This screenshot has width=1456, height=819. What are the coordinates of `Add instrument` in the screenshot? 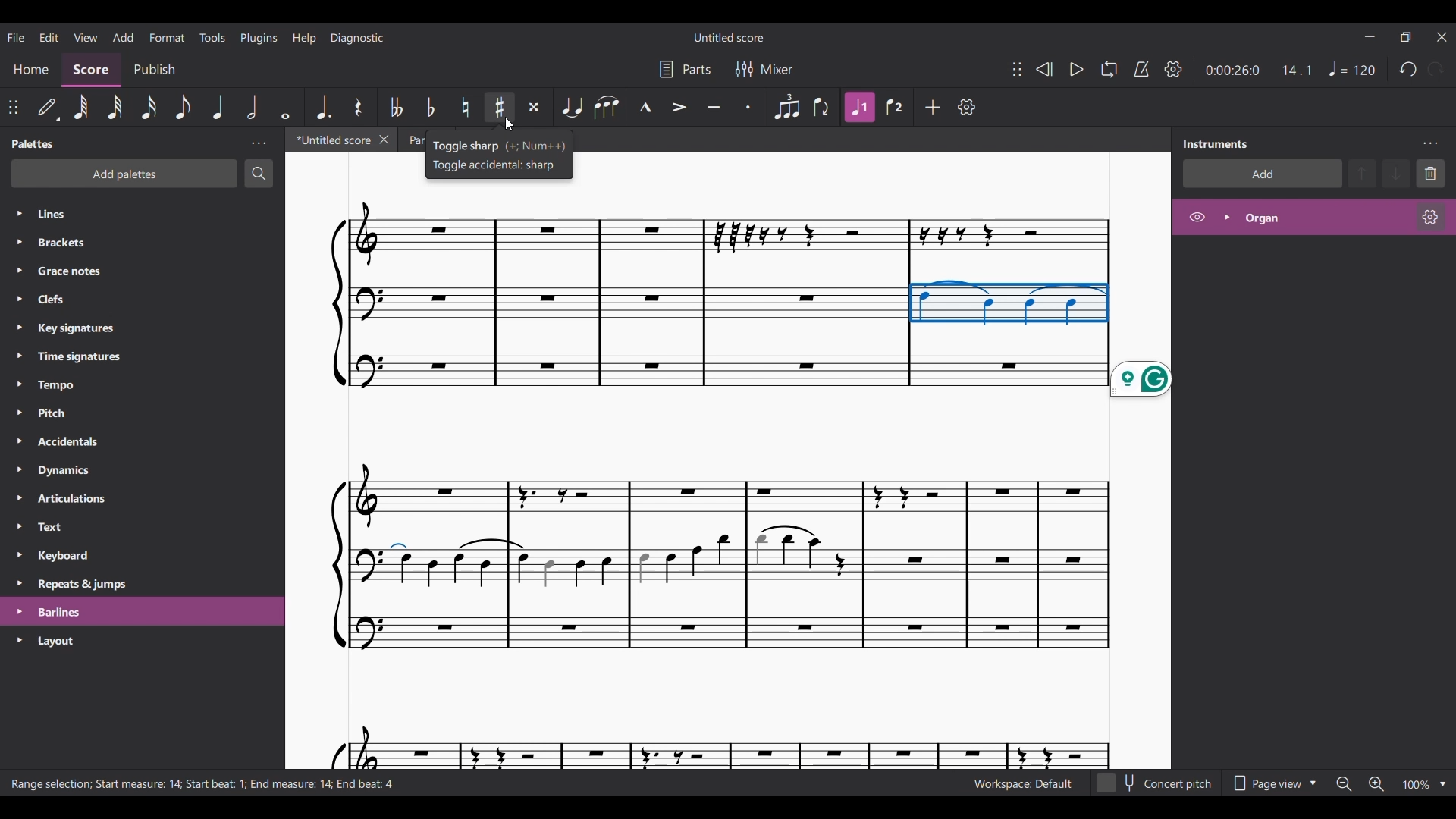 It's located at (1261, 173).